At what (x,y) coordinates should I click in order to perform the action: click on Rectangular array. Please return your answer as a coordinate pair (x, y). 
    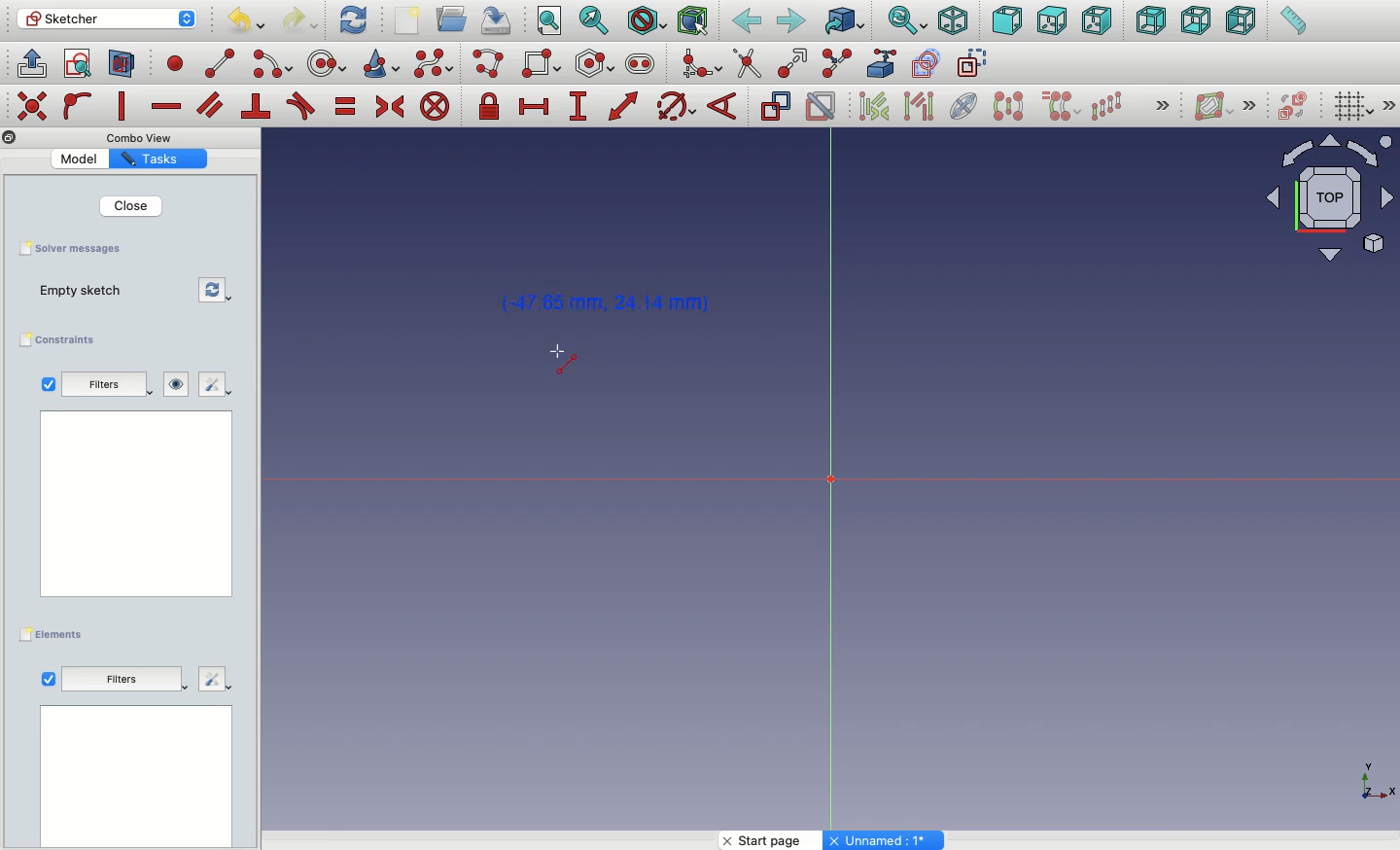
    Looking at the image, I should click on (1108, 105).